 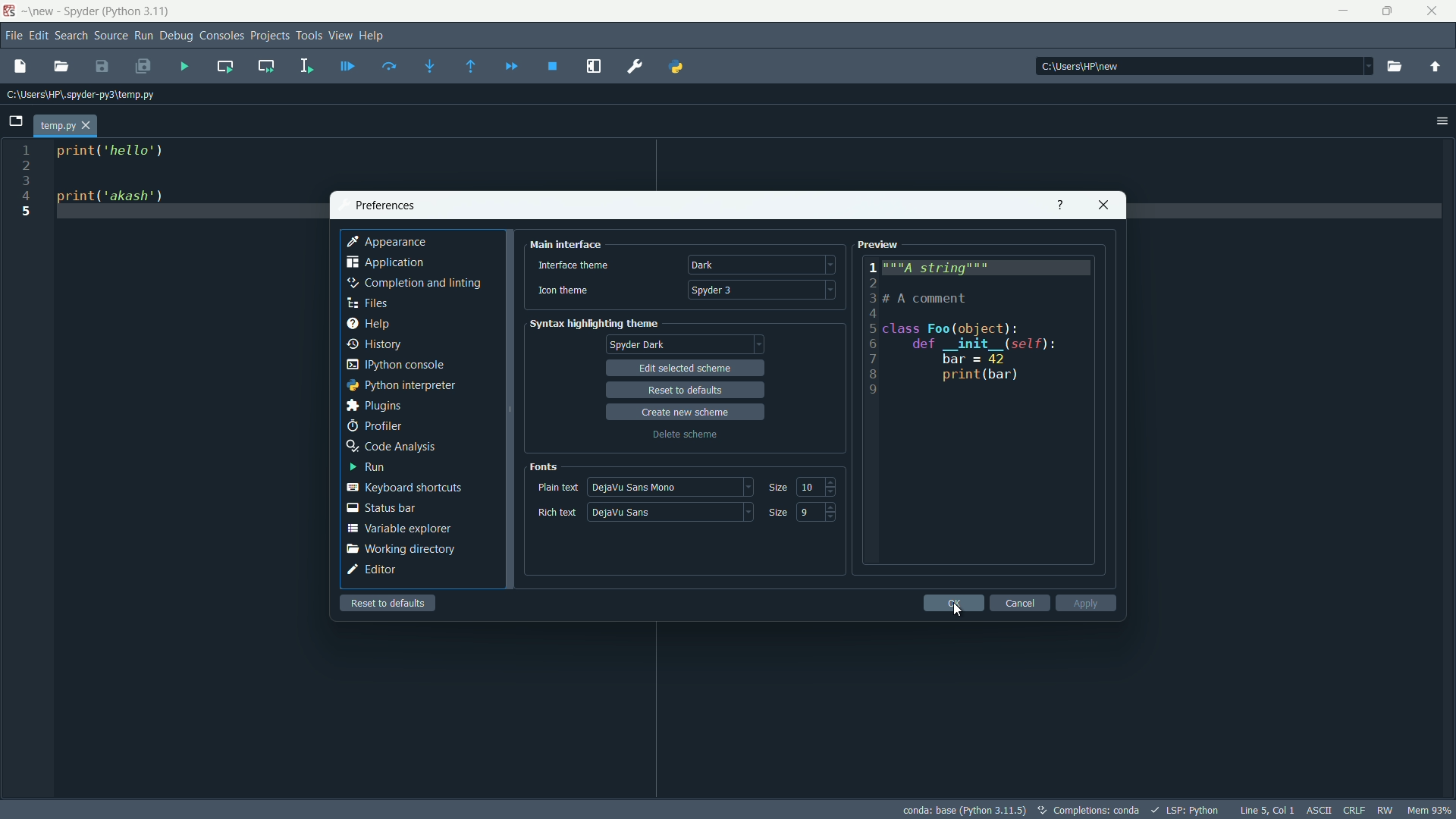 I want to click on dropdown options icon, so click(x=1351, y=65).